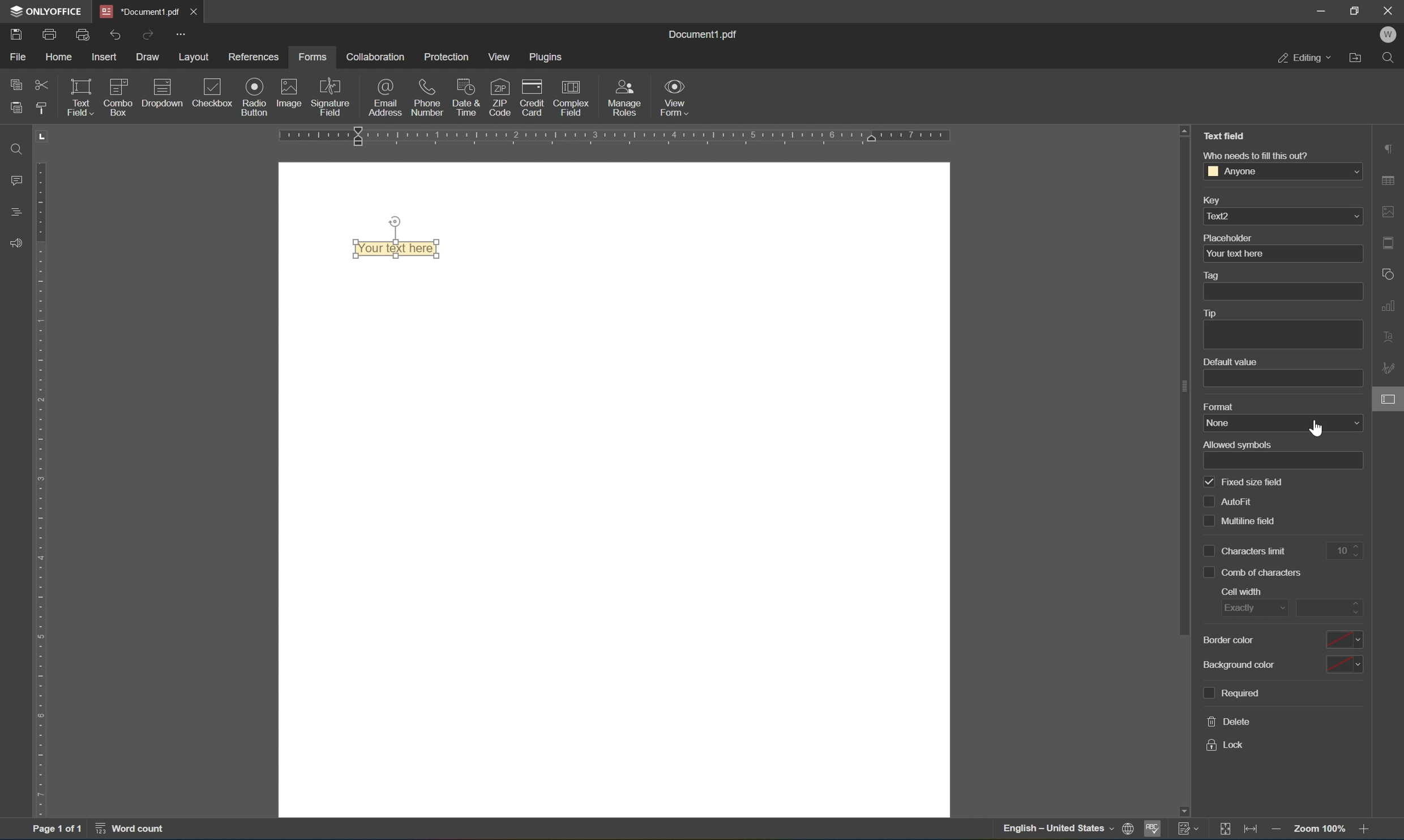  I want to click on collaboration, so click(378, 58).